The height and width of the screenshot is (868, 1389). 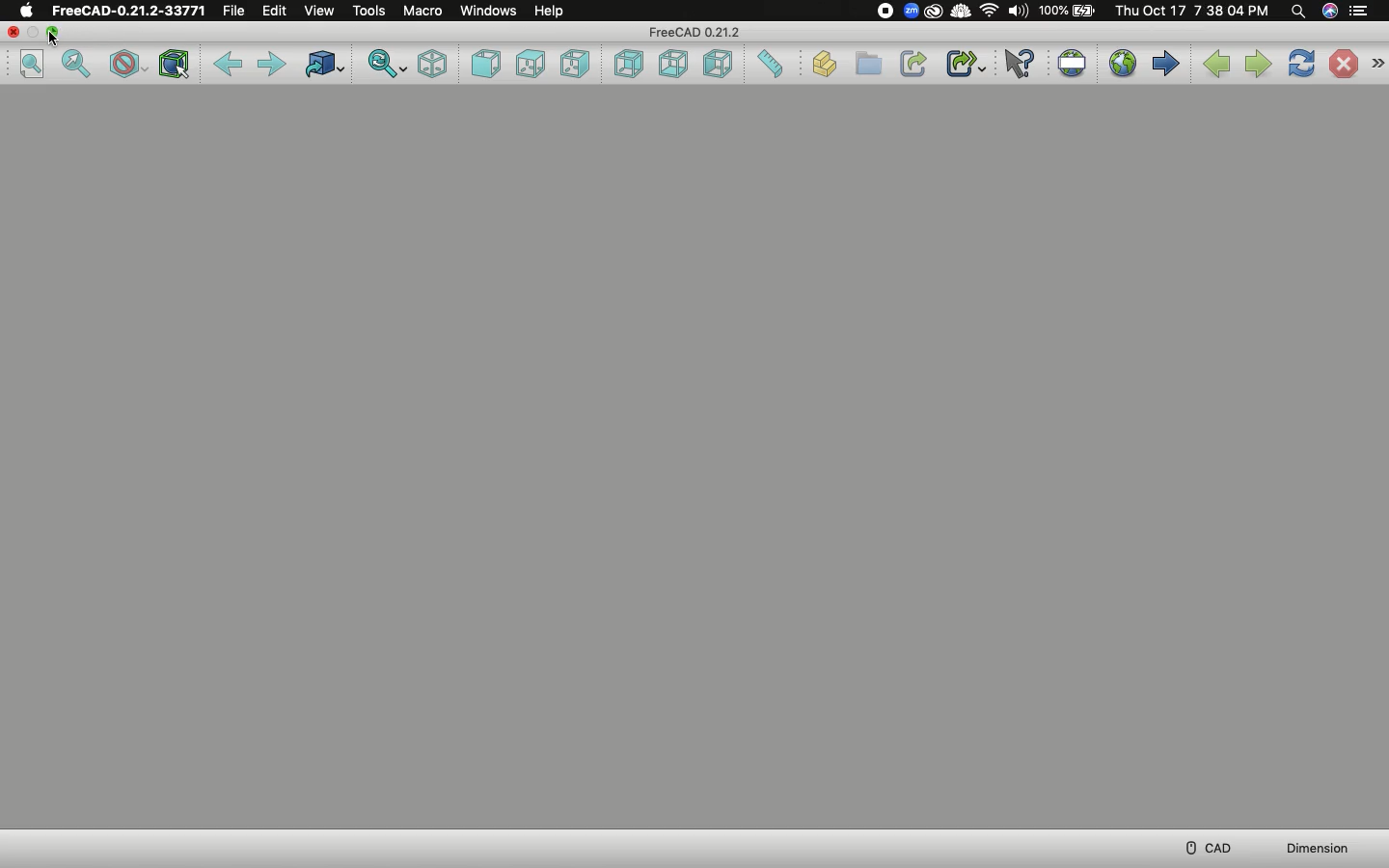 What do you see at coordinates (548, 12) in the screenshot?
I see `Help` at bounding box center [548, 12].